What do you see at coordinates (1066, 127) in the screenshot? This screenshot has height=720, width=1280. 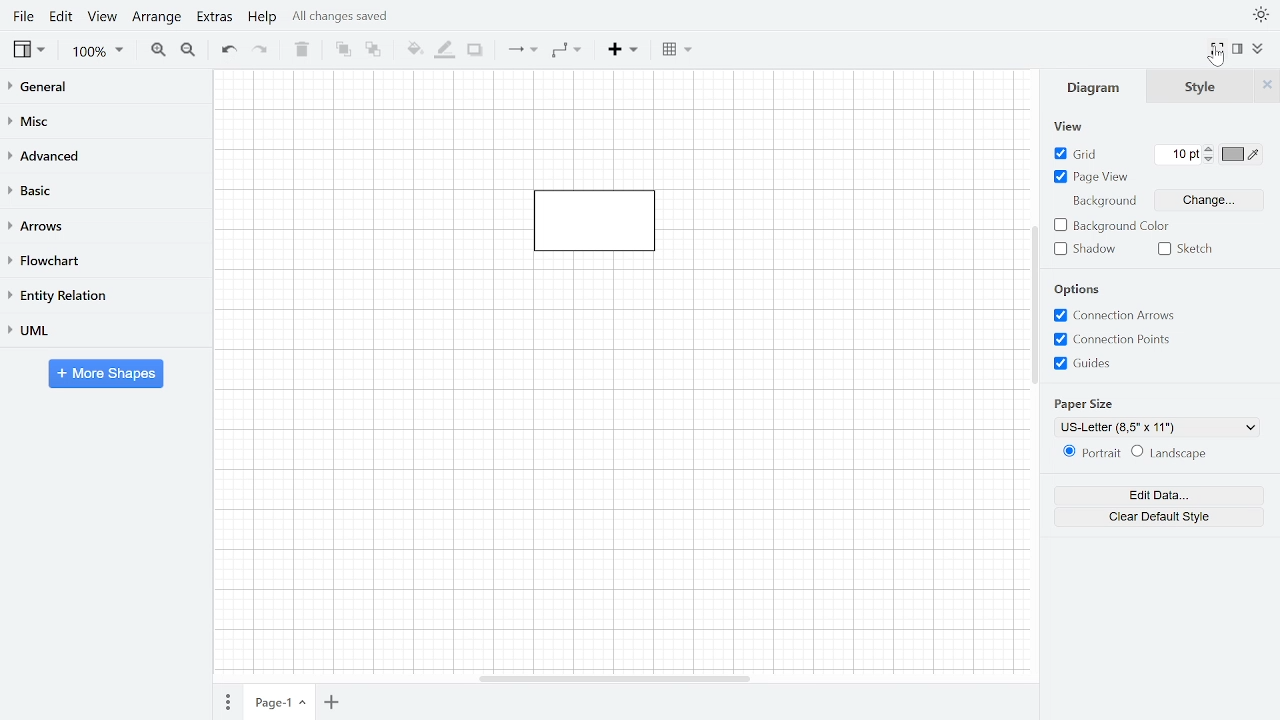 I see `View` at bounding box center [1066, 127].